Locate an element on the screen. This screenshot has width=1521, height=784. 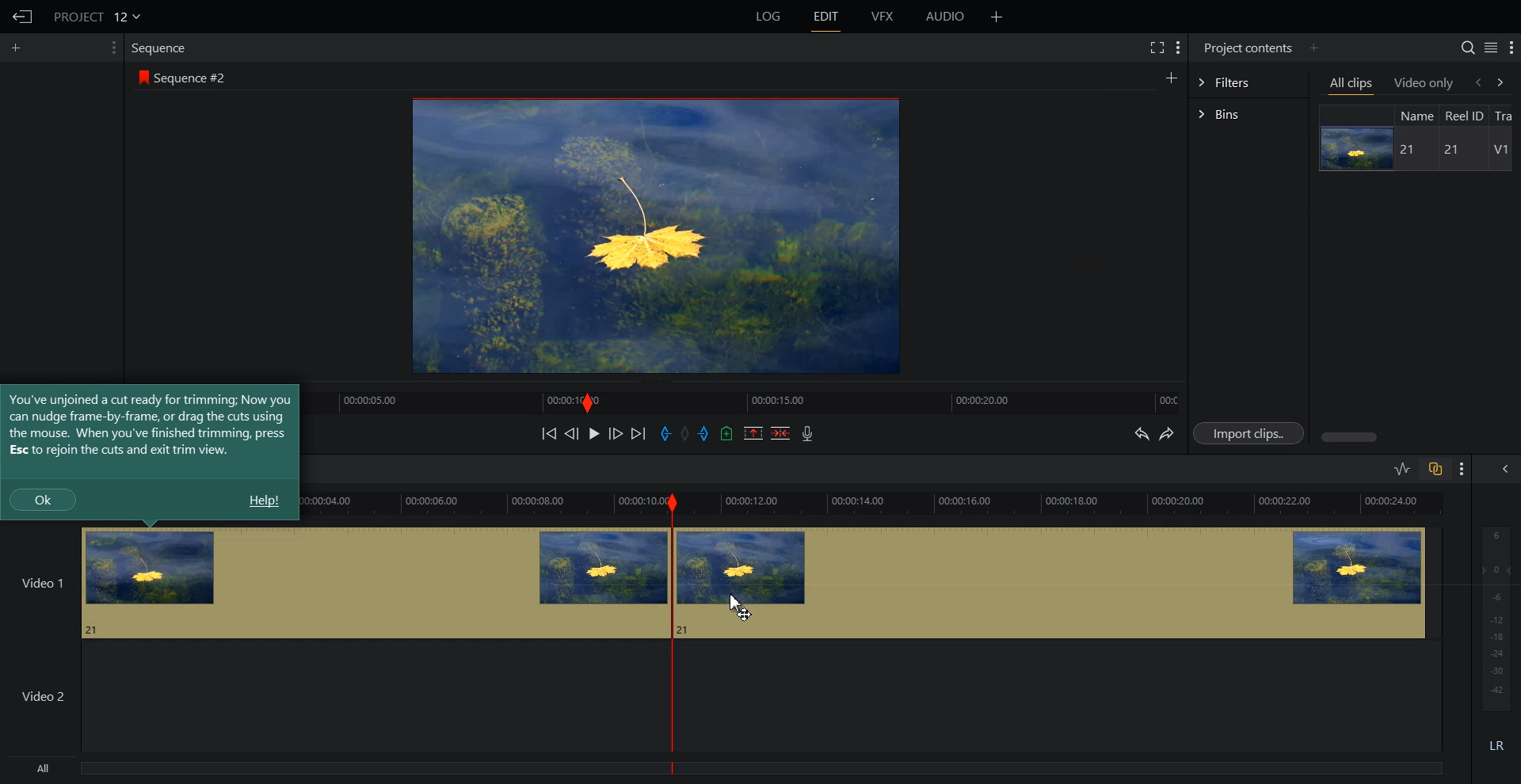
Show Setting Menu is located at coordinates (113, 48).